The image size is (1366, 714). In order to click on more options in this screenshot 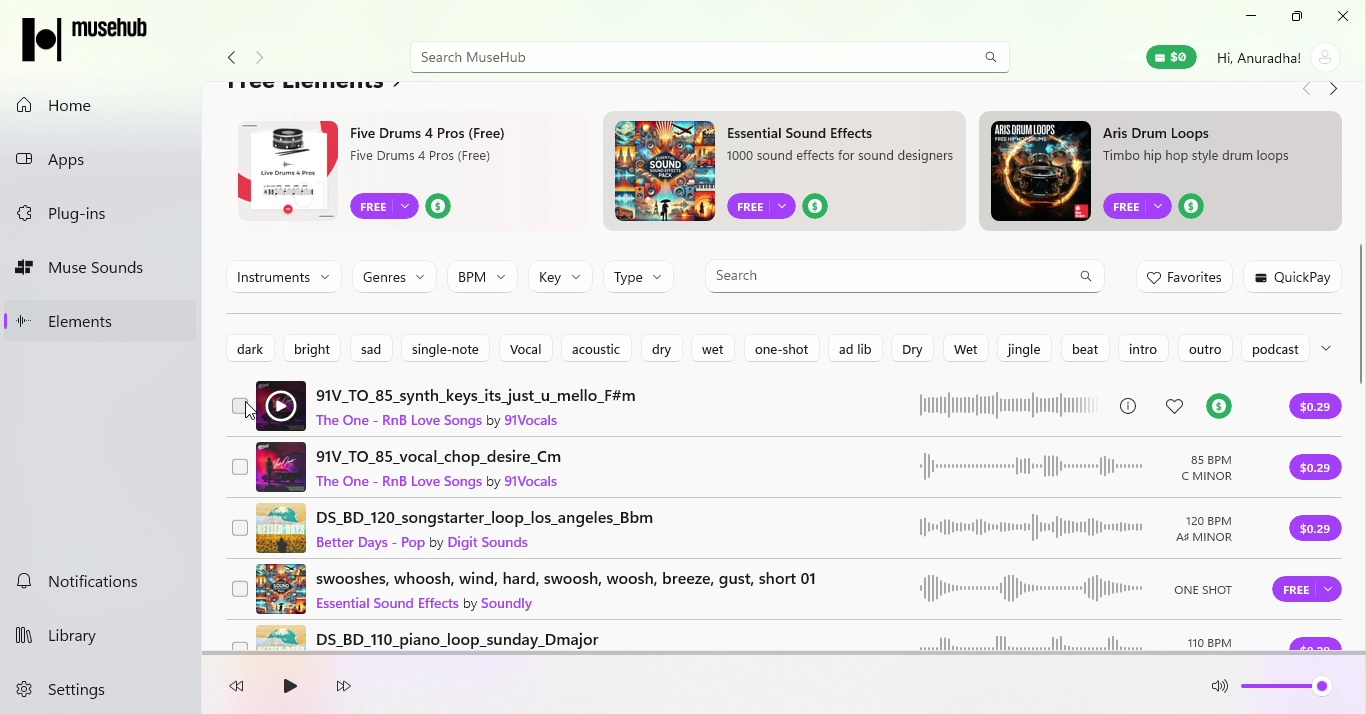, I will do `click(1332, 347)`.